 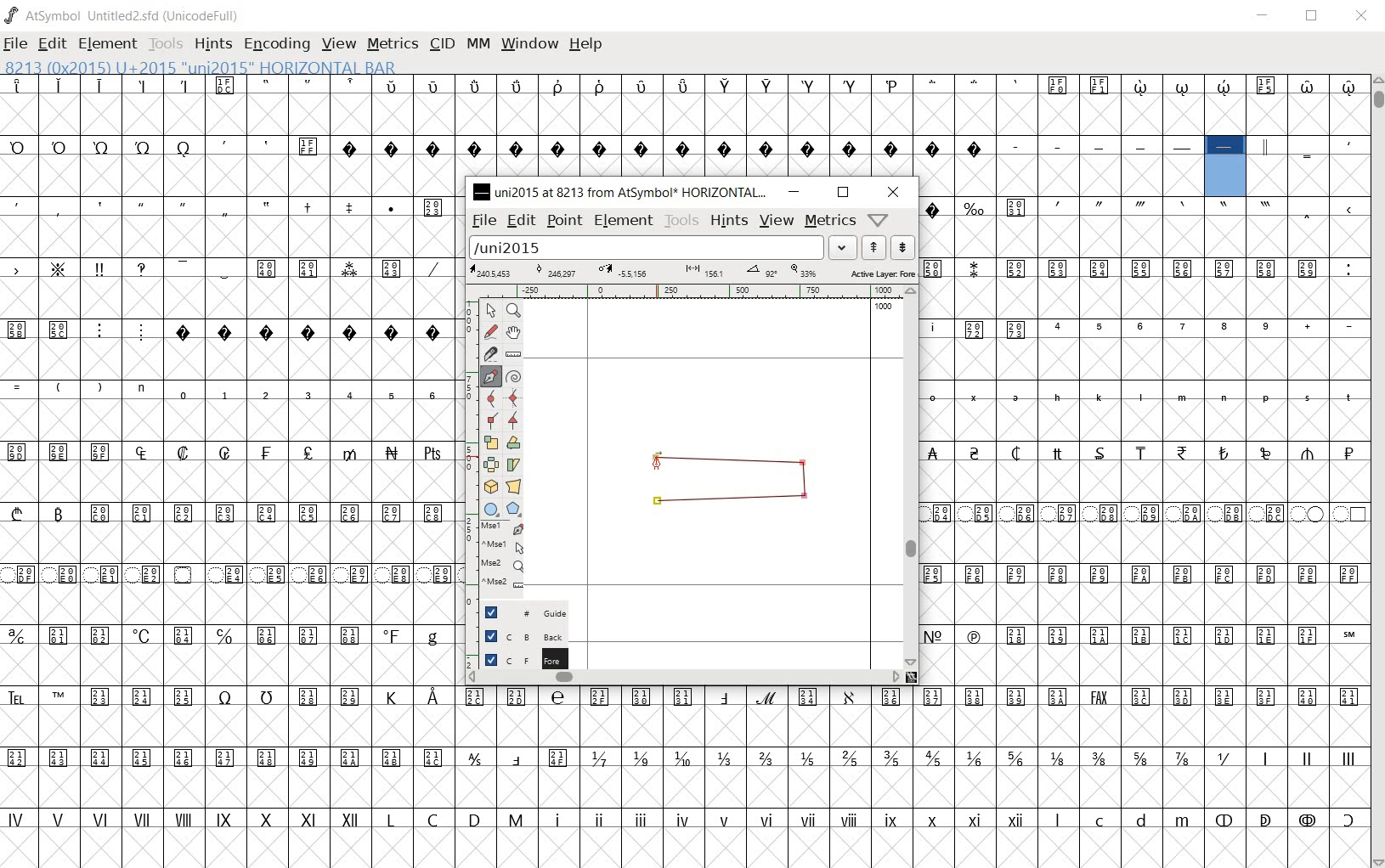 I want to click on CID, so click(x=442, y=43).